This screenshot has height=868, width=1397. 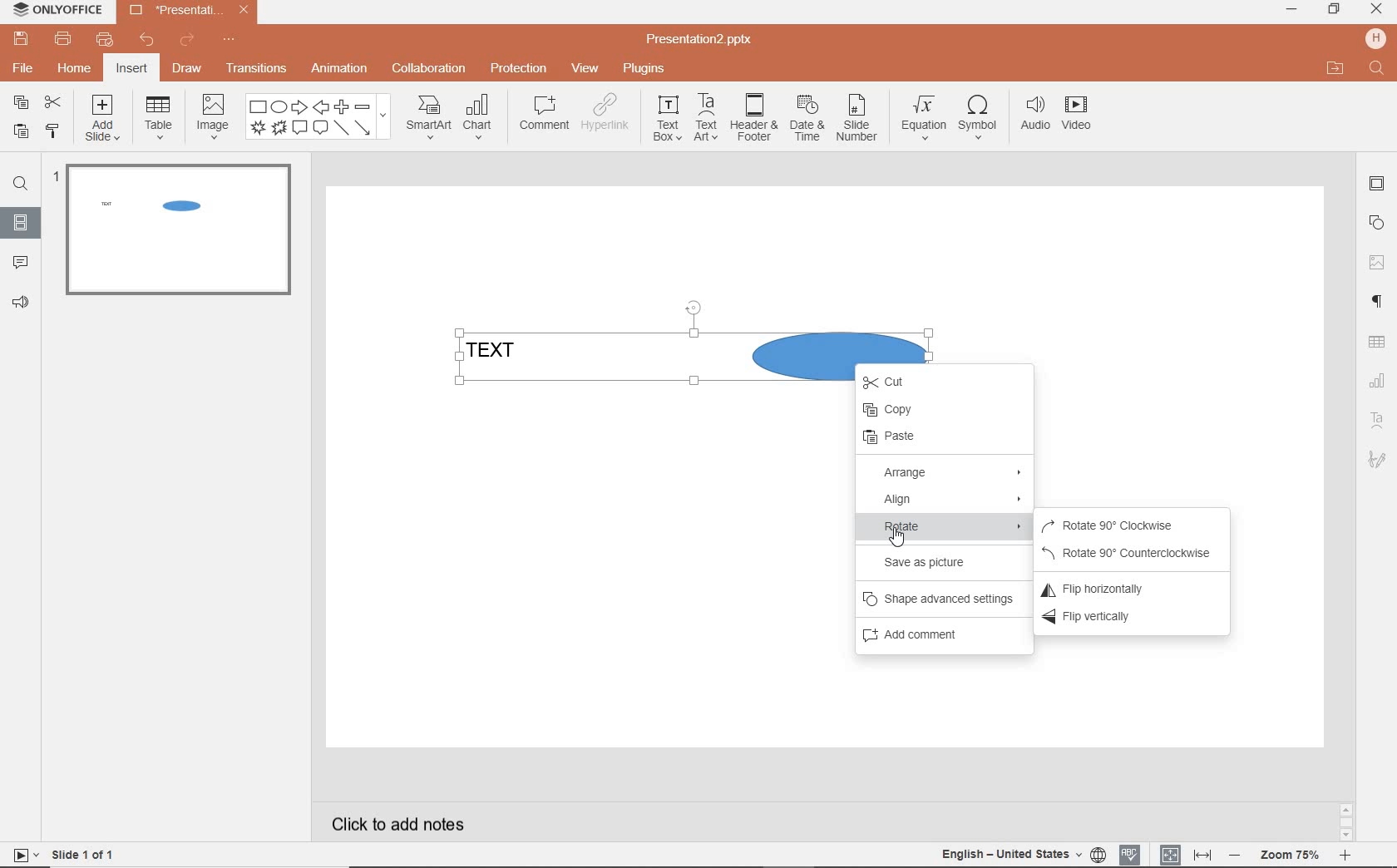 I want to click on align, so click(x=946, y=501).